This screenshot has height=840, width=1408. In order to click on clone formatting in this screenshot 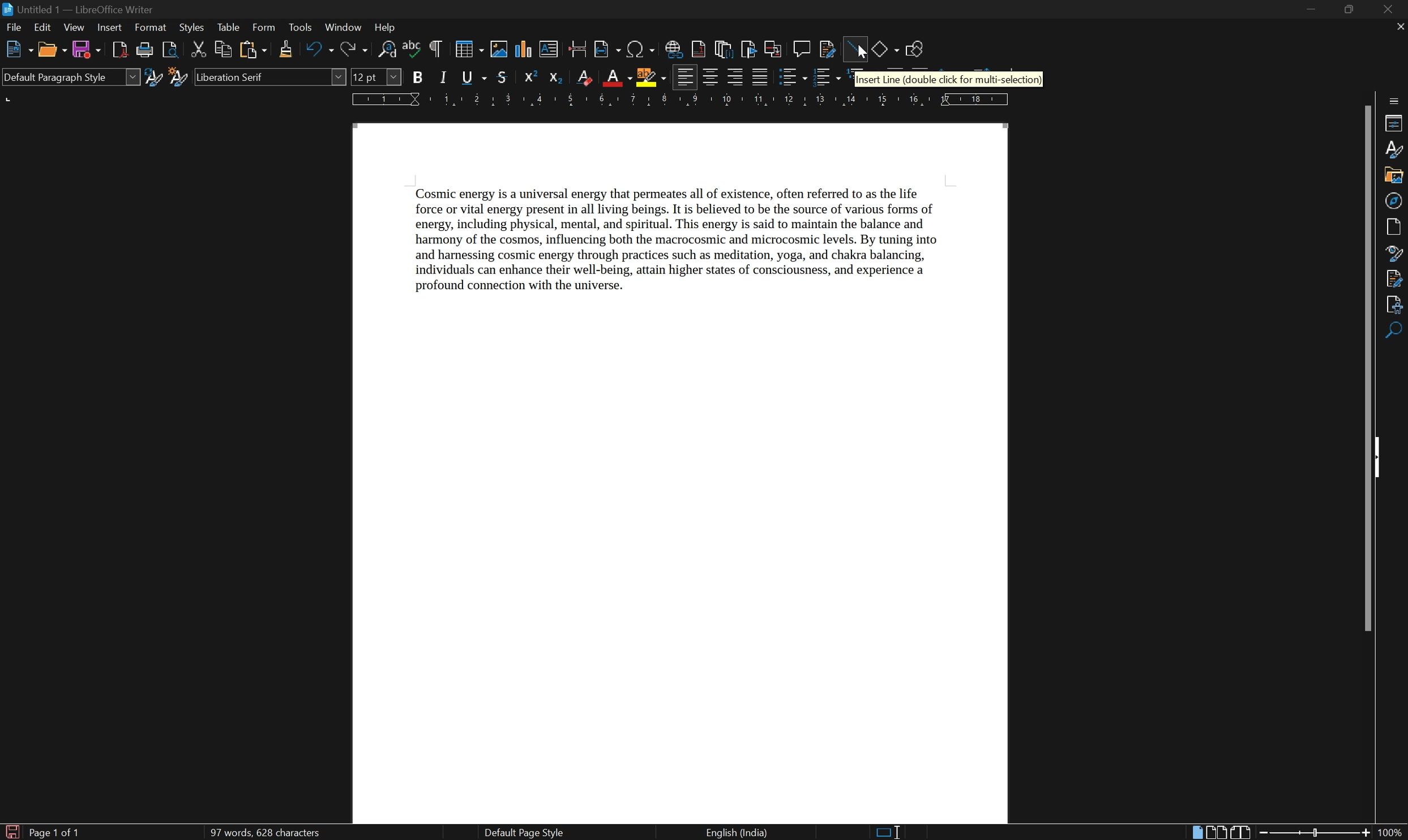, I will do `click(285, 49)`.